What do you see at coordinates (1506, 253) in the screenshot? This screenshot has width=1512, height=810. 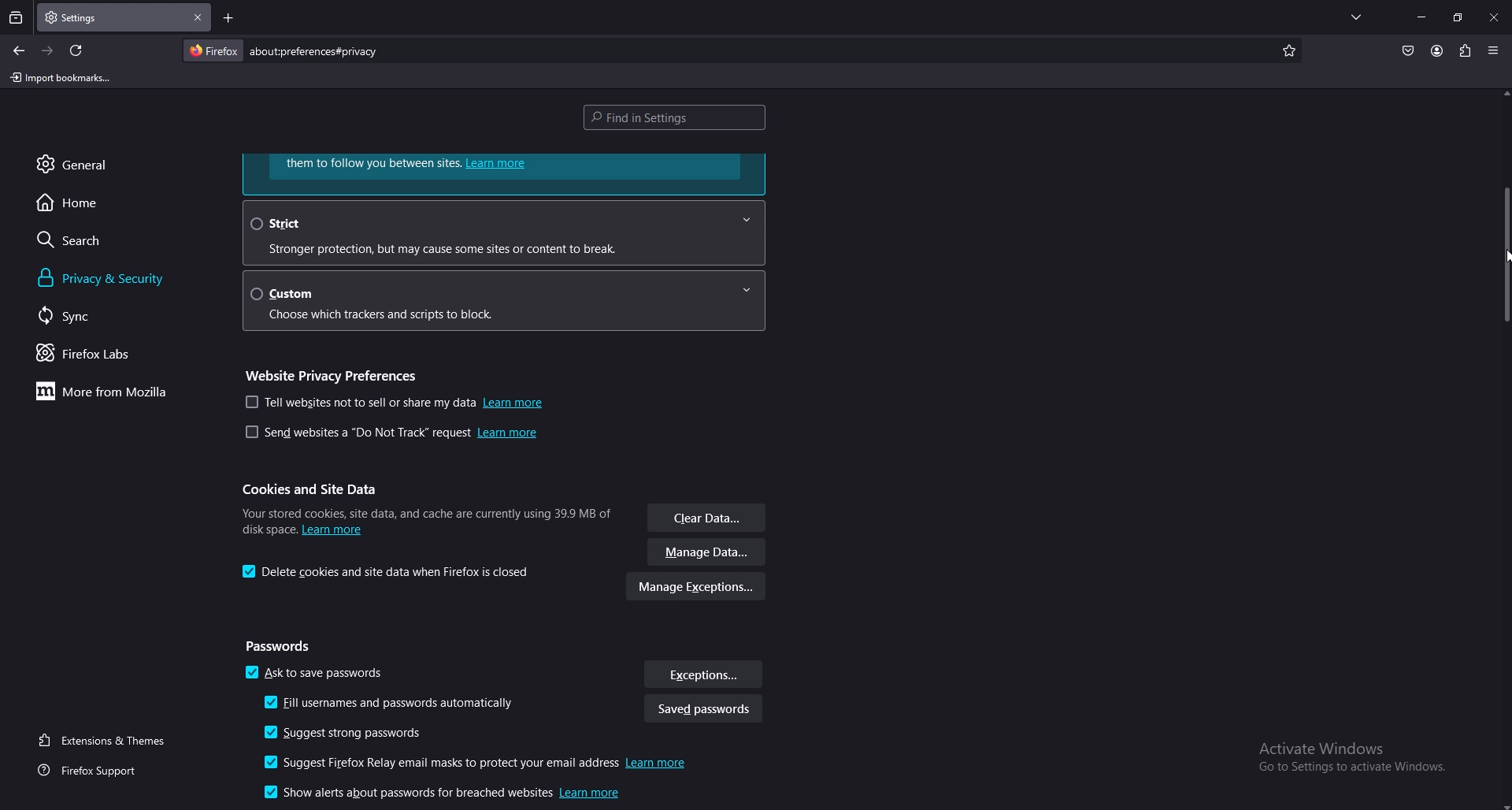 I see `scroll bar` at bounding box center [1506, 253].